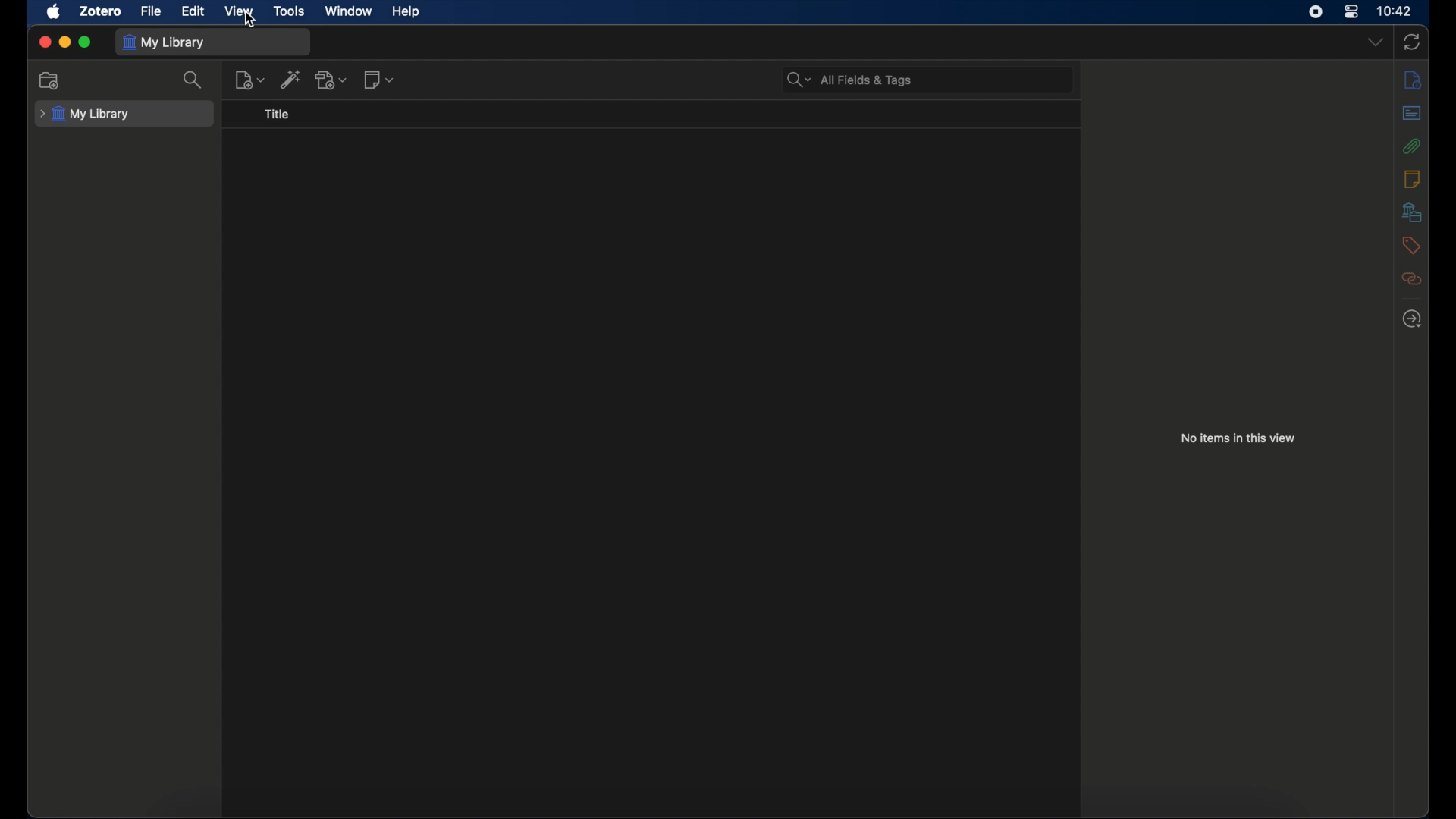  Describe the element at coordinates (1375, 42) in the screenshot. I see `dropdown` at that location.